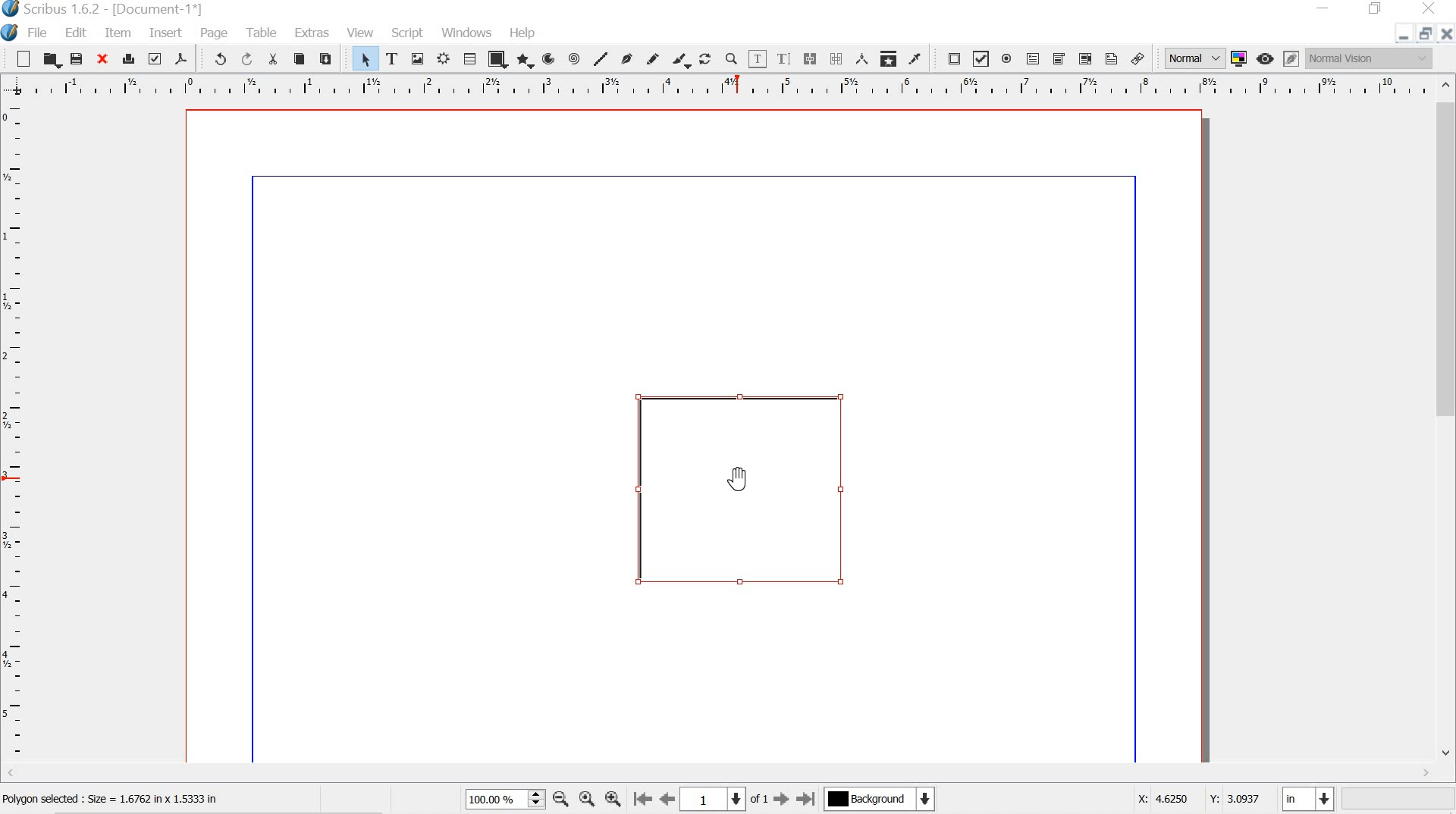 This screenshot has height=814, width=1456. I want to click on table, so click(469, 59).